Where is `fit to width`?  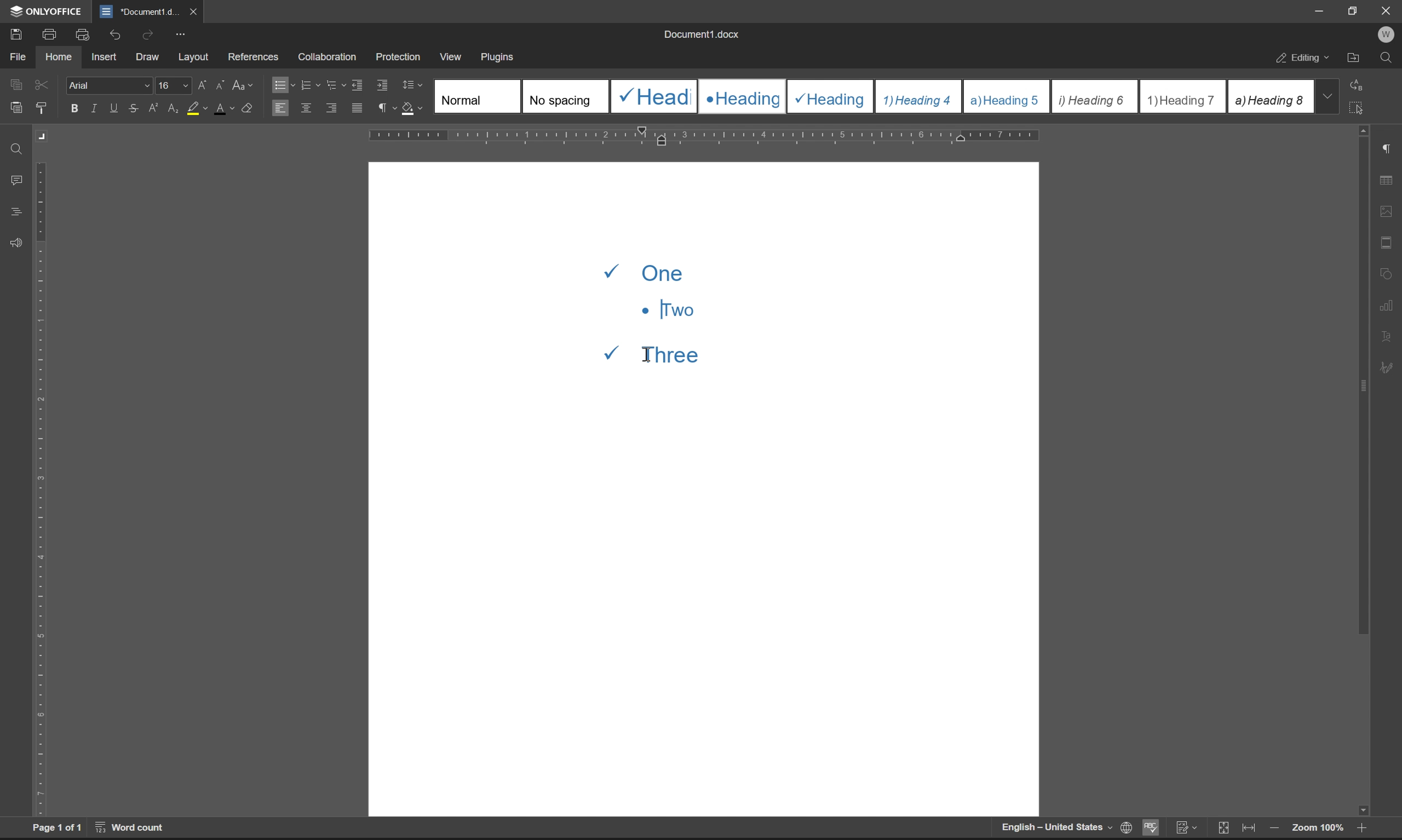 fit to width is located at coordinates (1249, 828).